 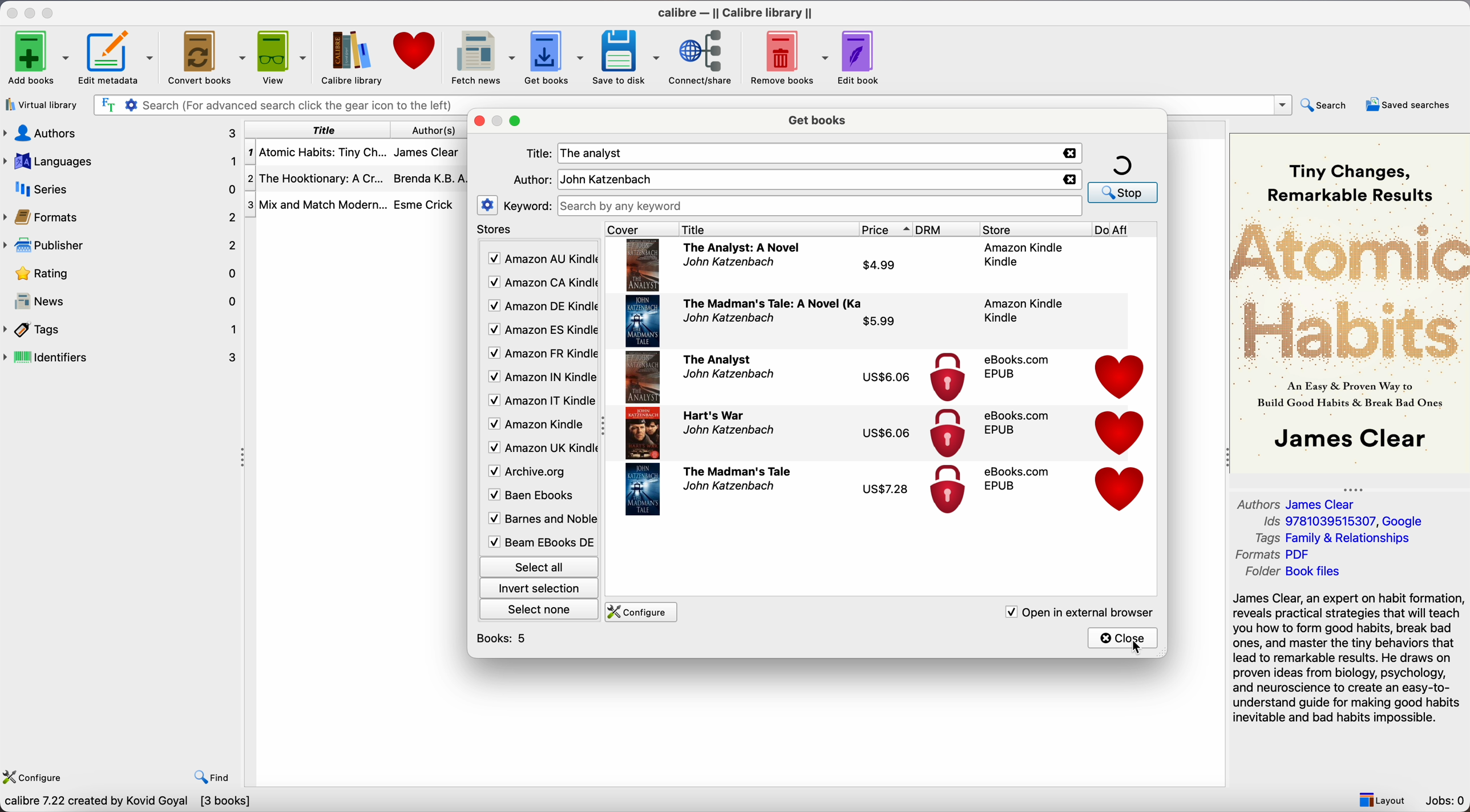 What do you see at coordinates (1121, 490) in the screenshot?
I see `donate` at bounding box center [1121, 490].